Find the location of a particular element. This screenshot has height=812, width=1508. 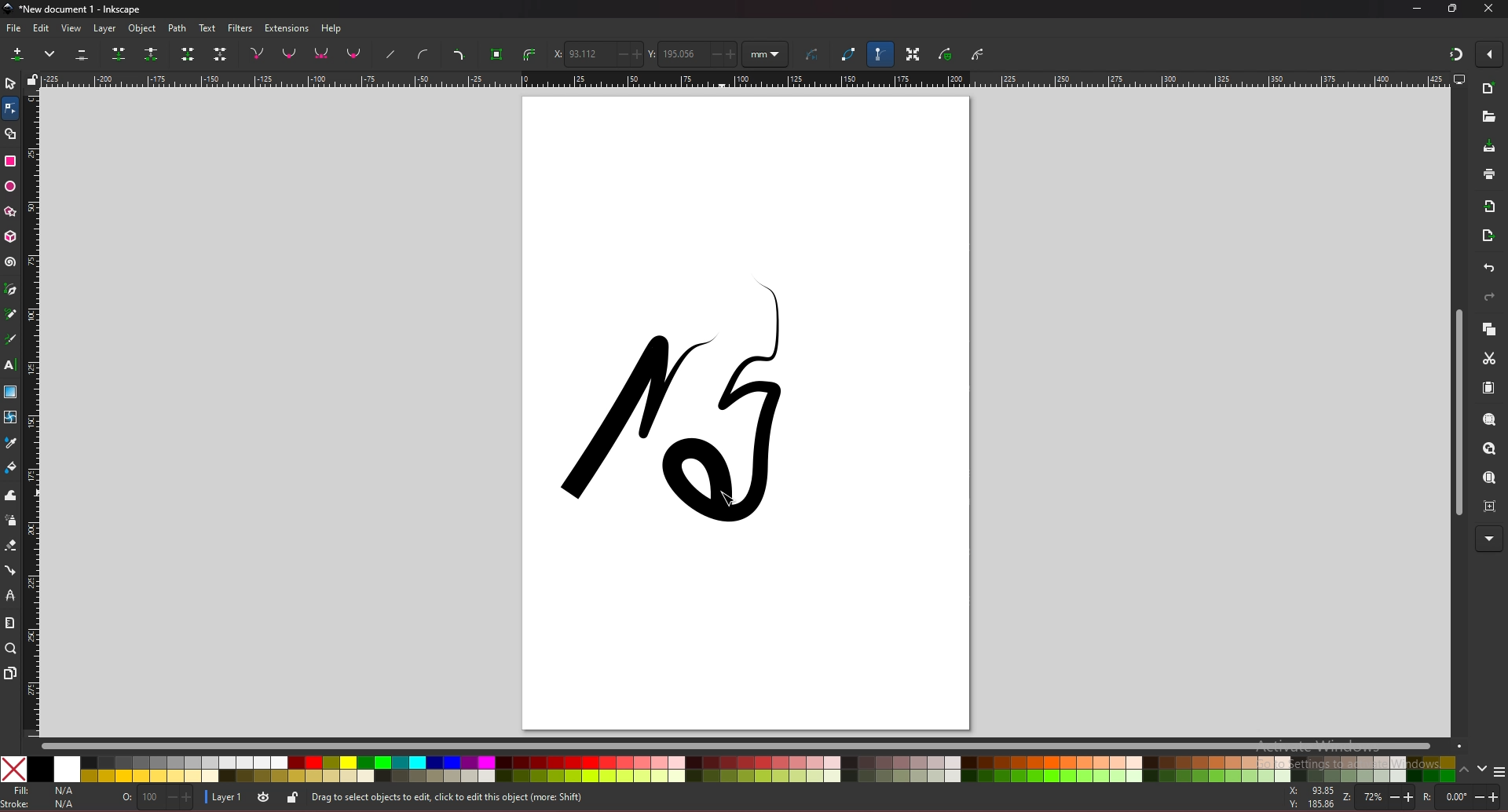

calligraphy is located at coordinates (10, 339).